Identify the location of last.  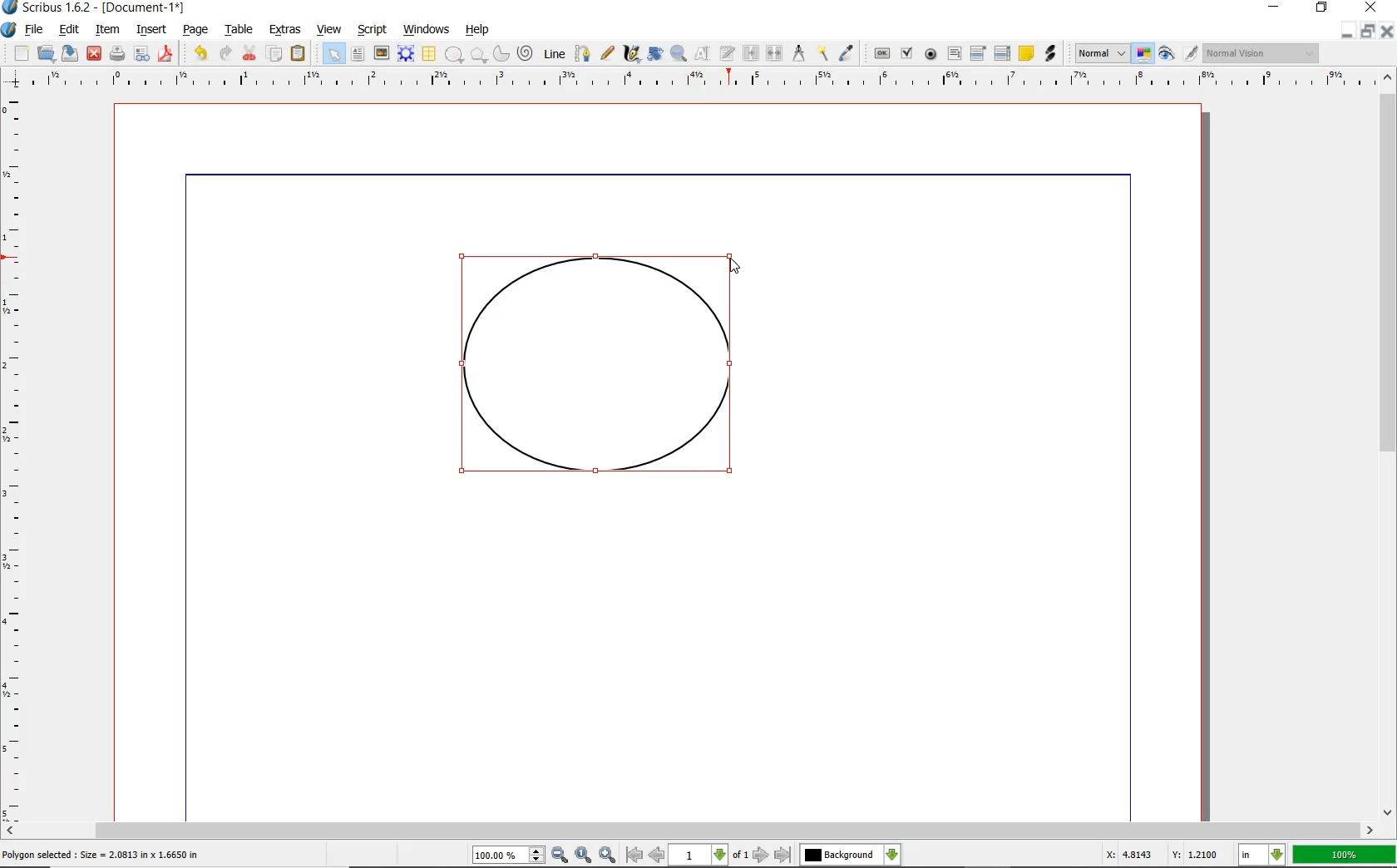
(782, 856).